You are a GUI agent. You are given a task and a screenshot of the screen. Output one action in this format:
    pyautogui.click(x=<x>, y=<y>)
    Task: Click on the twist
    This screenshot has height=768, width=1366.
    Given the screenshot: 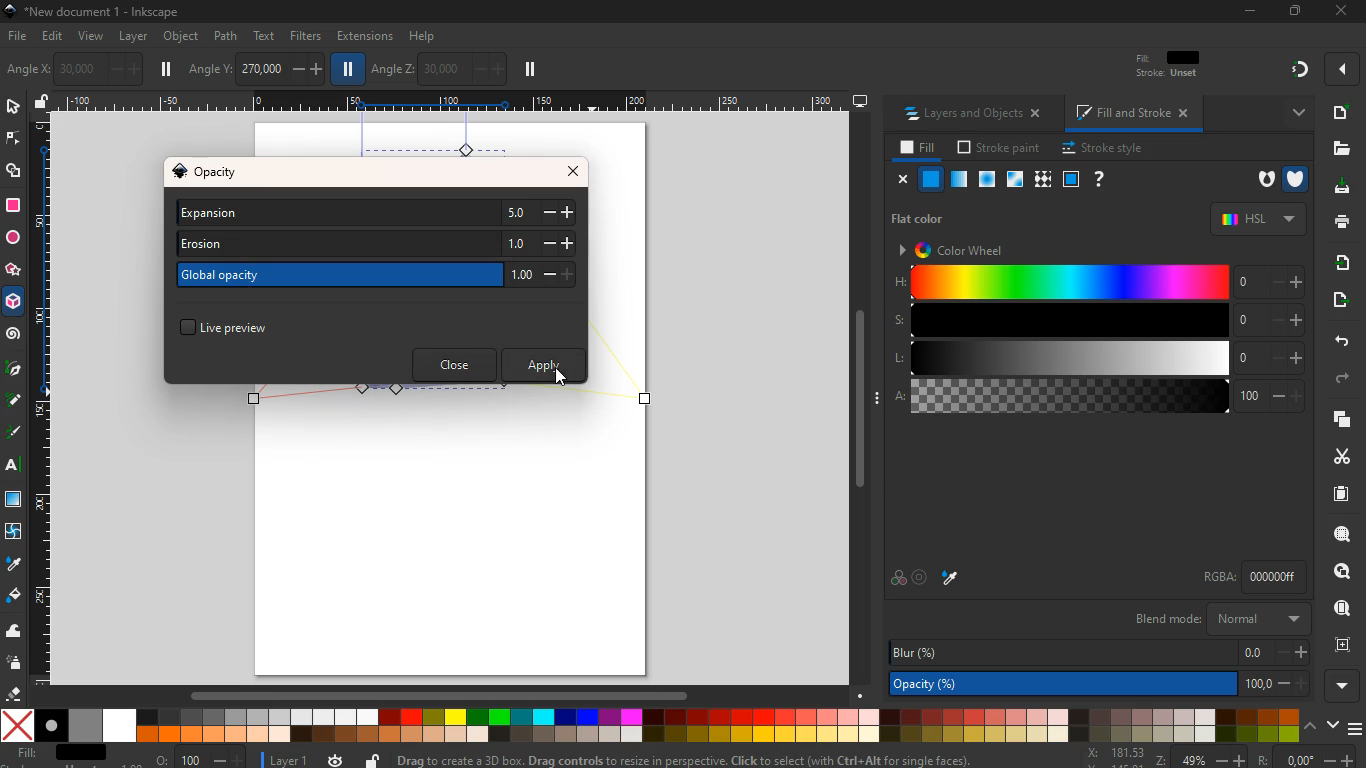 What is the action you would take?
    pyautogui.click(x=13, y=531)
    